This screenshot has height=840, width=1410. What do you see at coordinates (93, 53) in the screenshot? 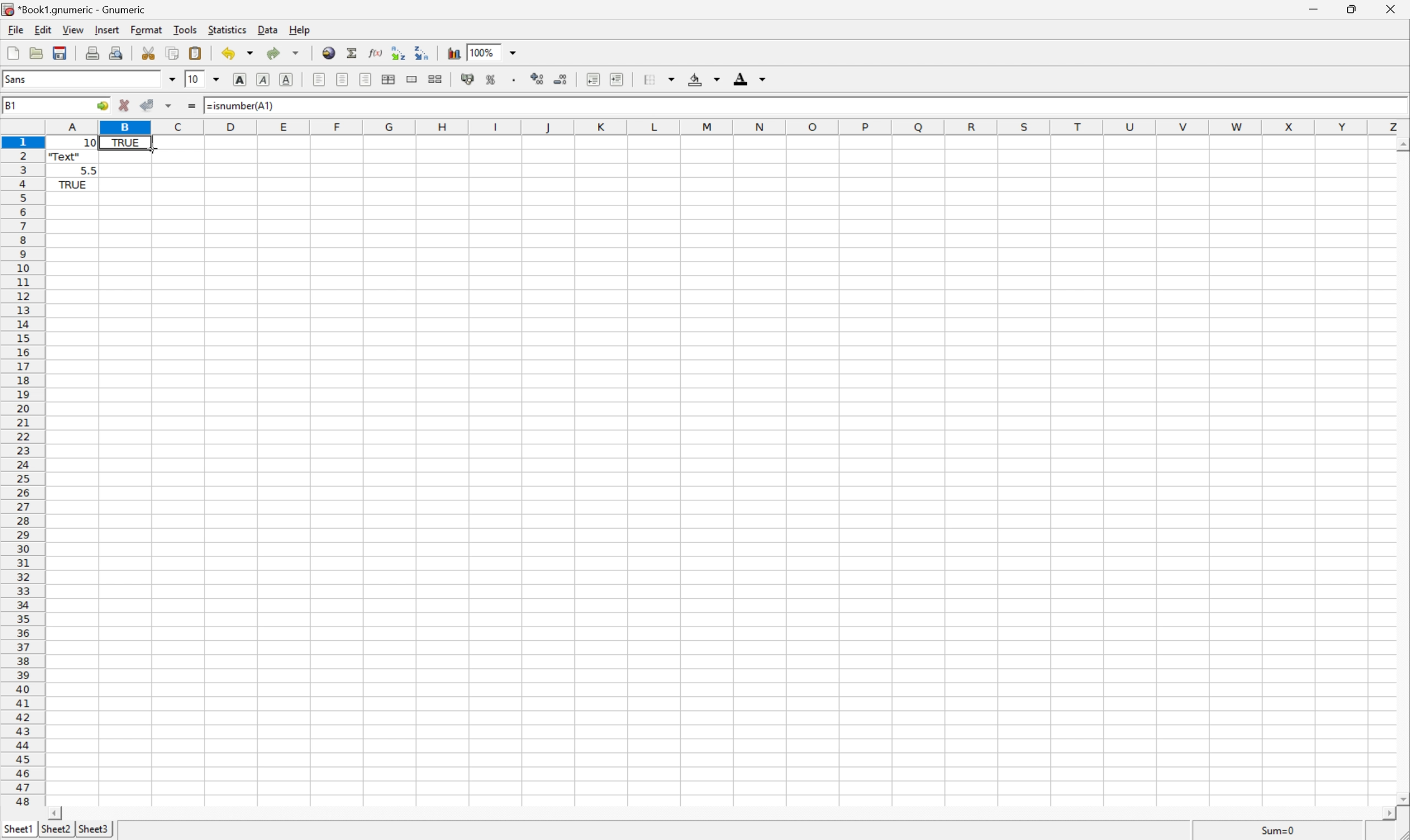
I see `Print current file` at bounding box center [93, 53].